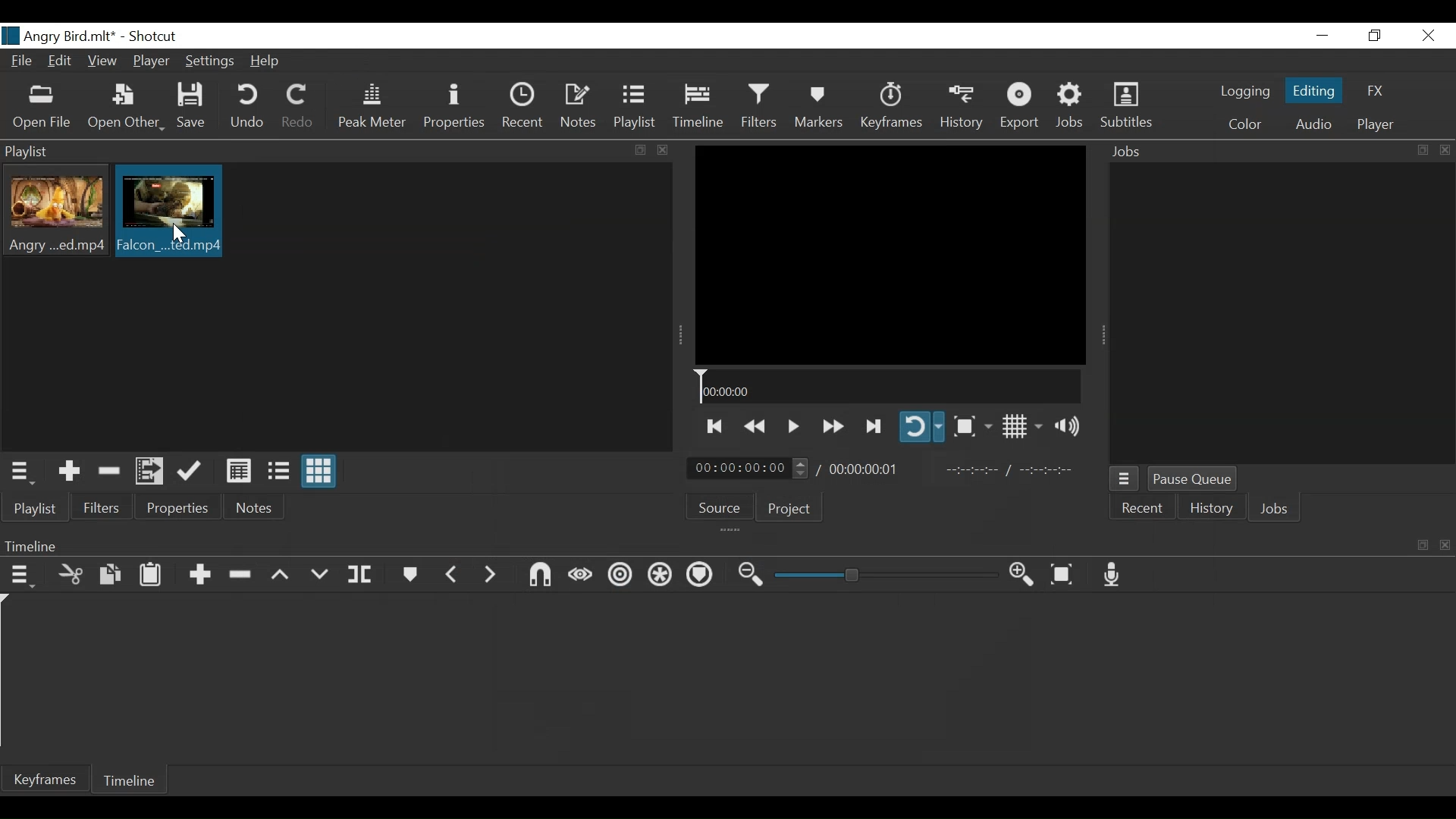 This screenshot has width=1456, height=819. I want to click on Skip to the next point, so click(874, 427).